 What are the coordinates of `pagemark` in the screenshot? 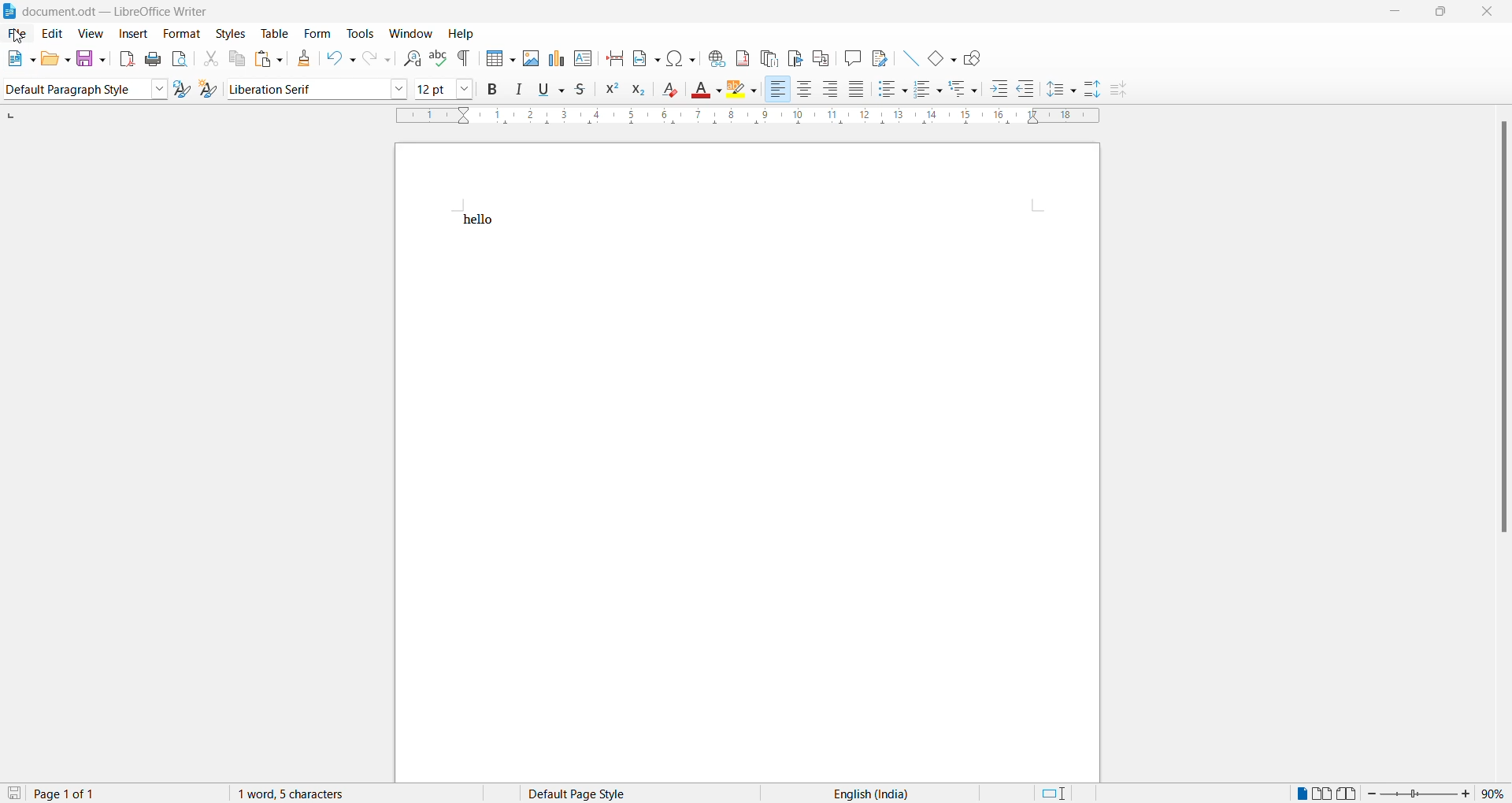 It's located at (11, 116).